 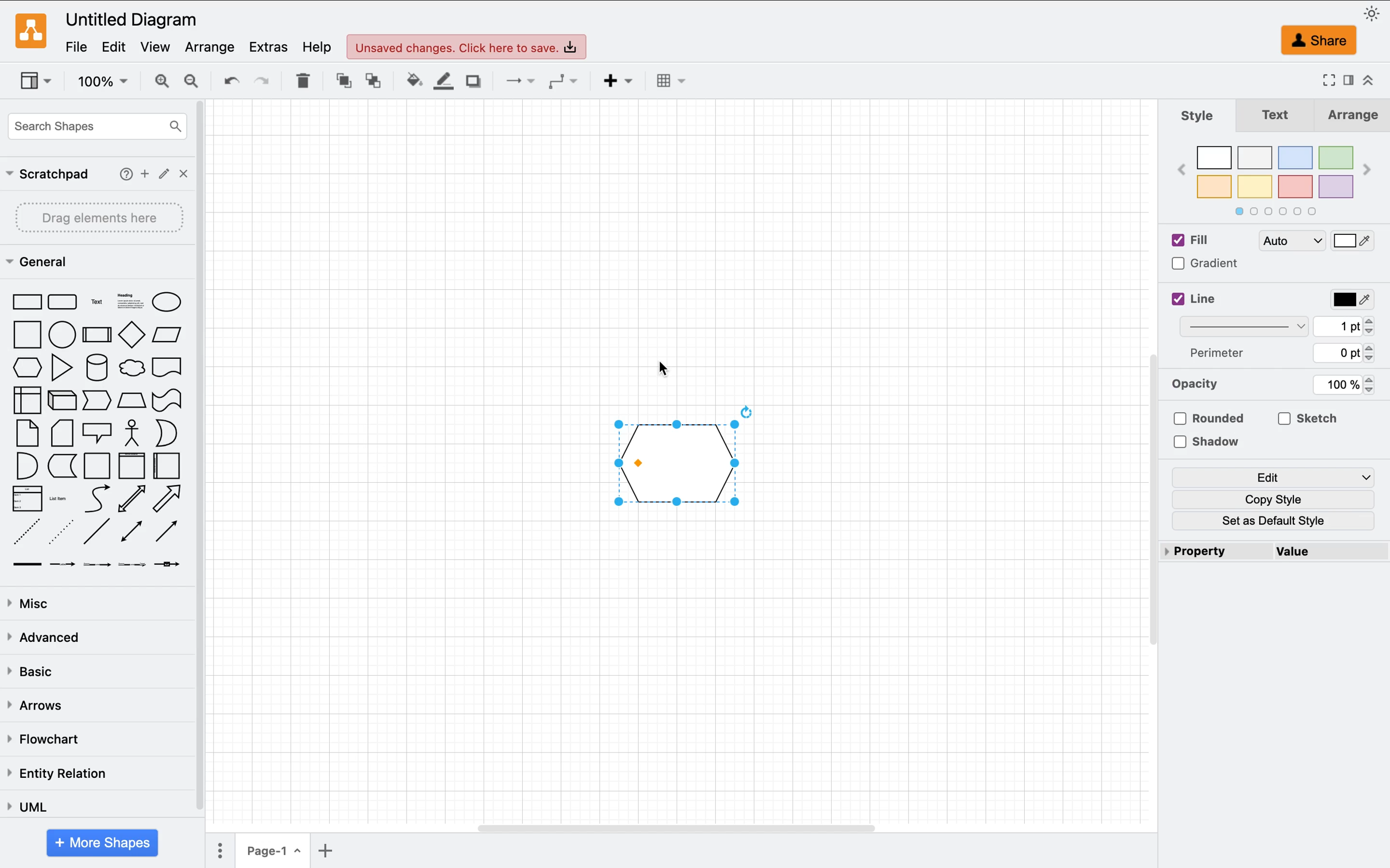 What do you see at coordinates (684, 460) in the screenshot?
I see `added hexagon` at bounding box center [684, 460].